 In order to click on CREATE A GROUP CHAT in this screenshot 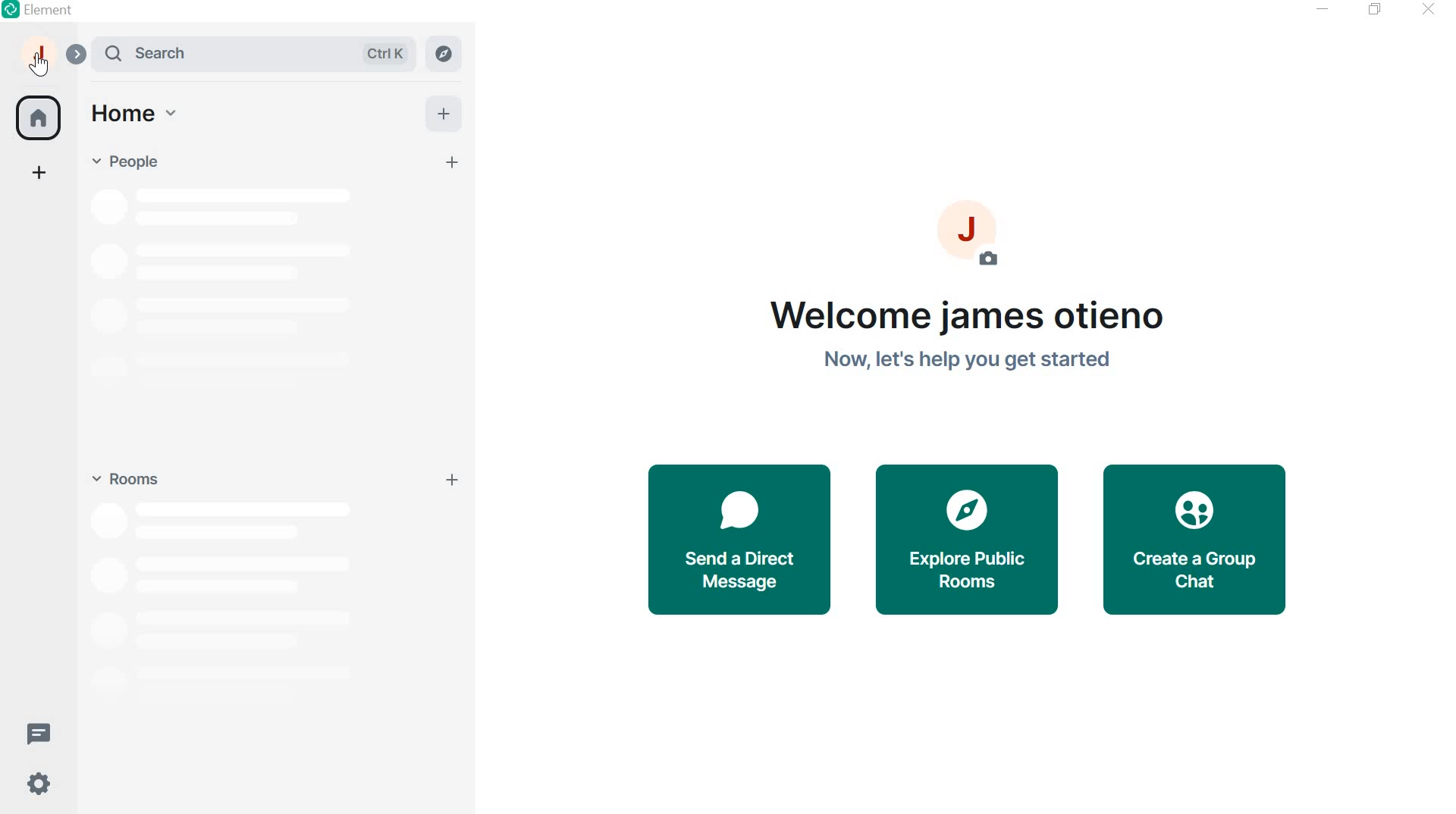, I will do `click(1201, 541)`.